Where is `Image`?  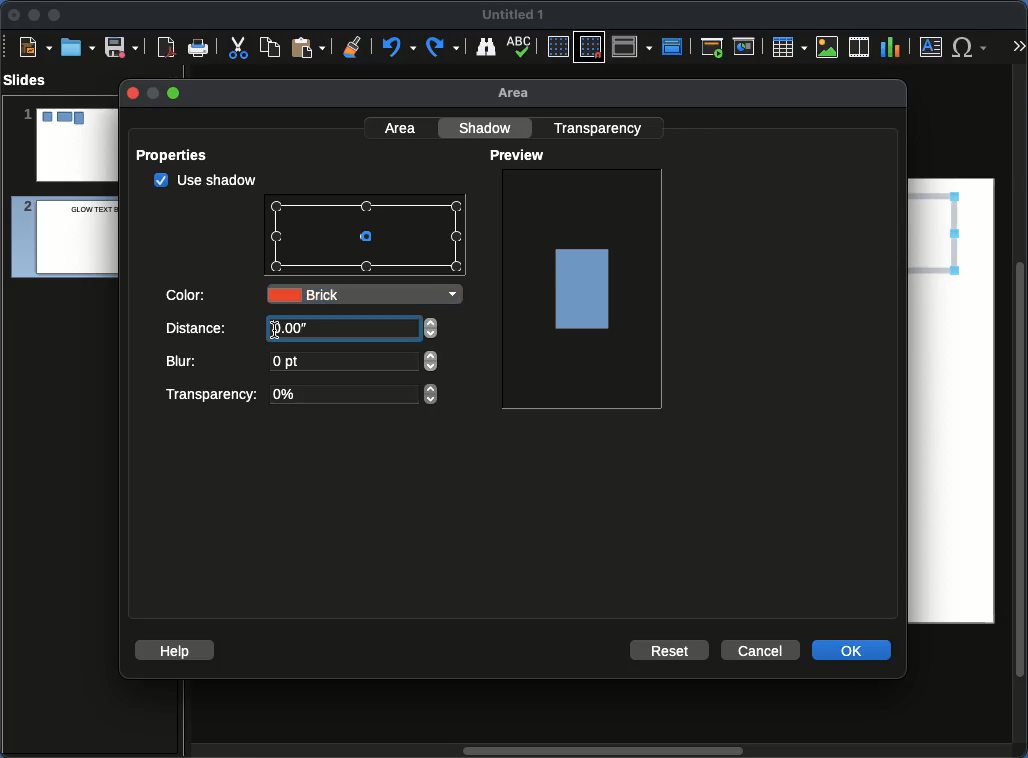 Image is located at coordinates (828, 47).